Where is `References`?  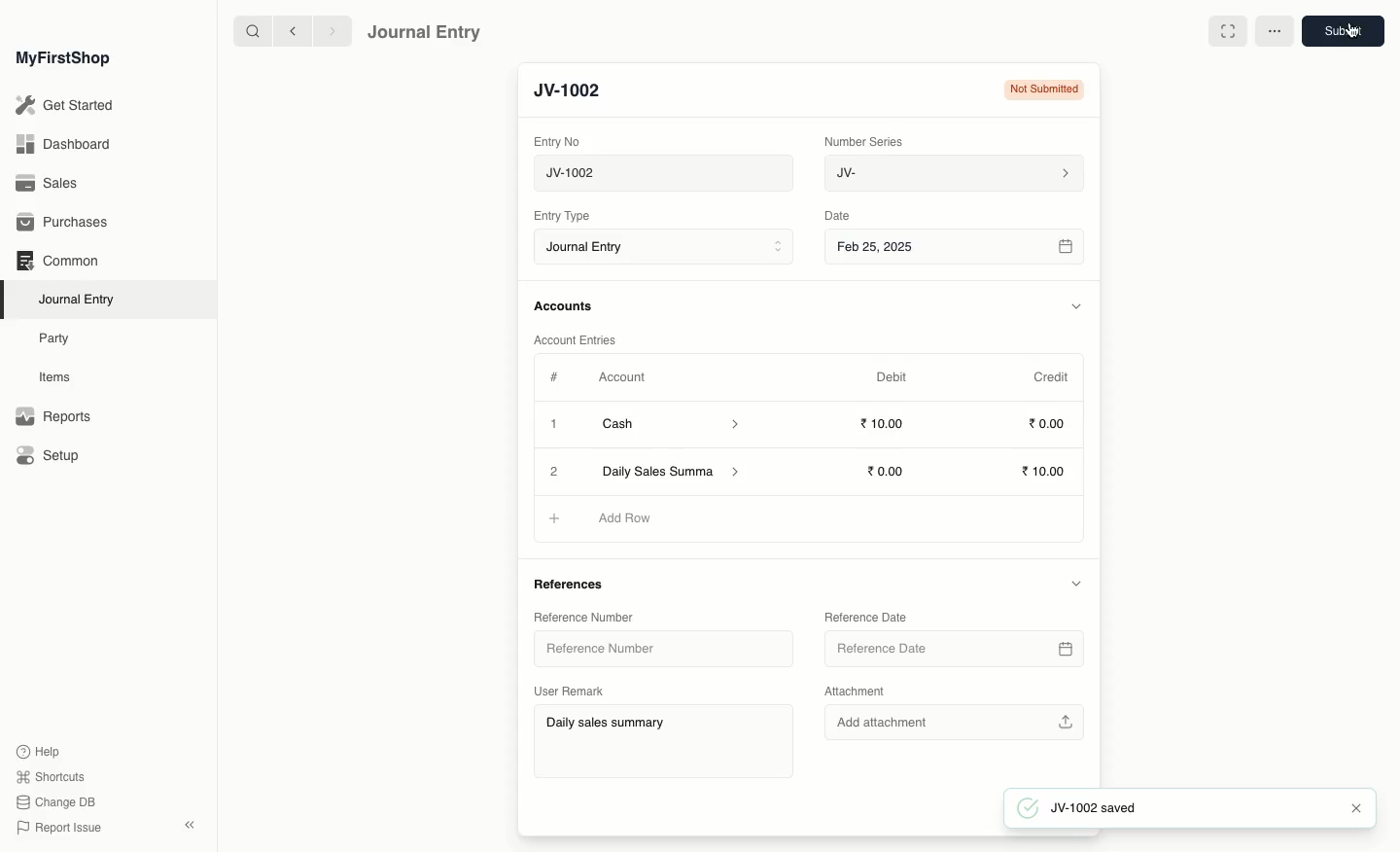
References is located at coordinates (574, 586).